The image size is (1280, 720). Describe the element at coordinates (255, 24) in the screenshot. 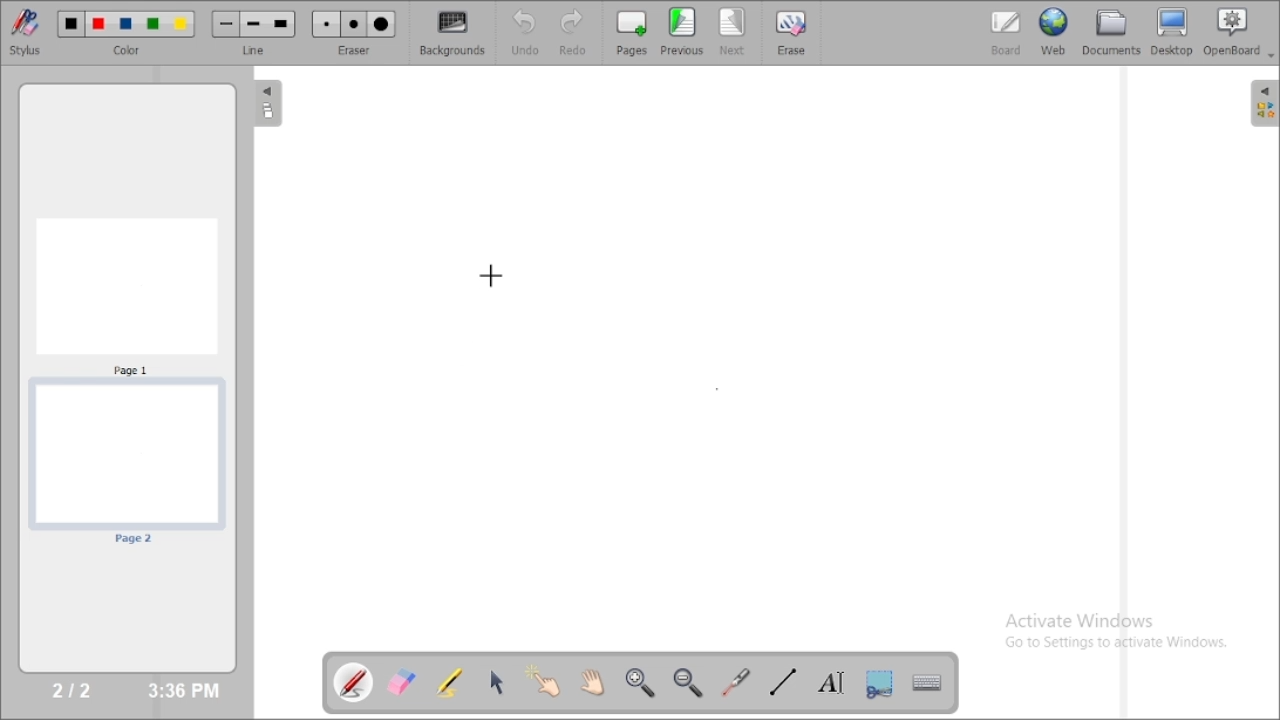

I see `Medium line` at that location.